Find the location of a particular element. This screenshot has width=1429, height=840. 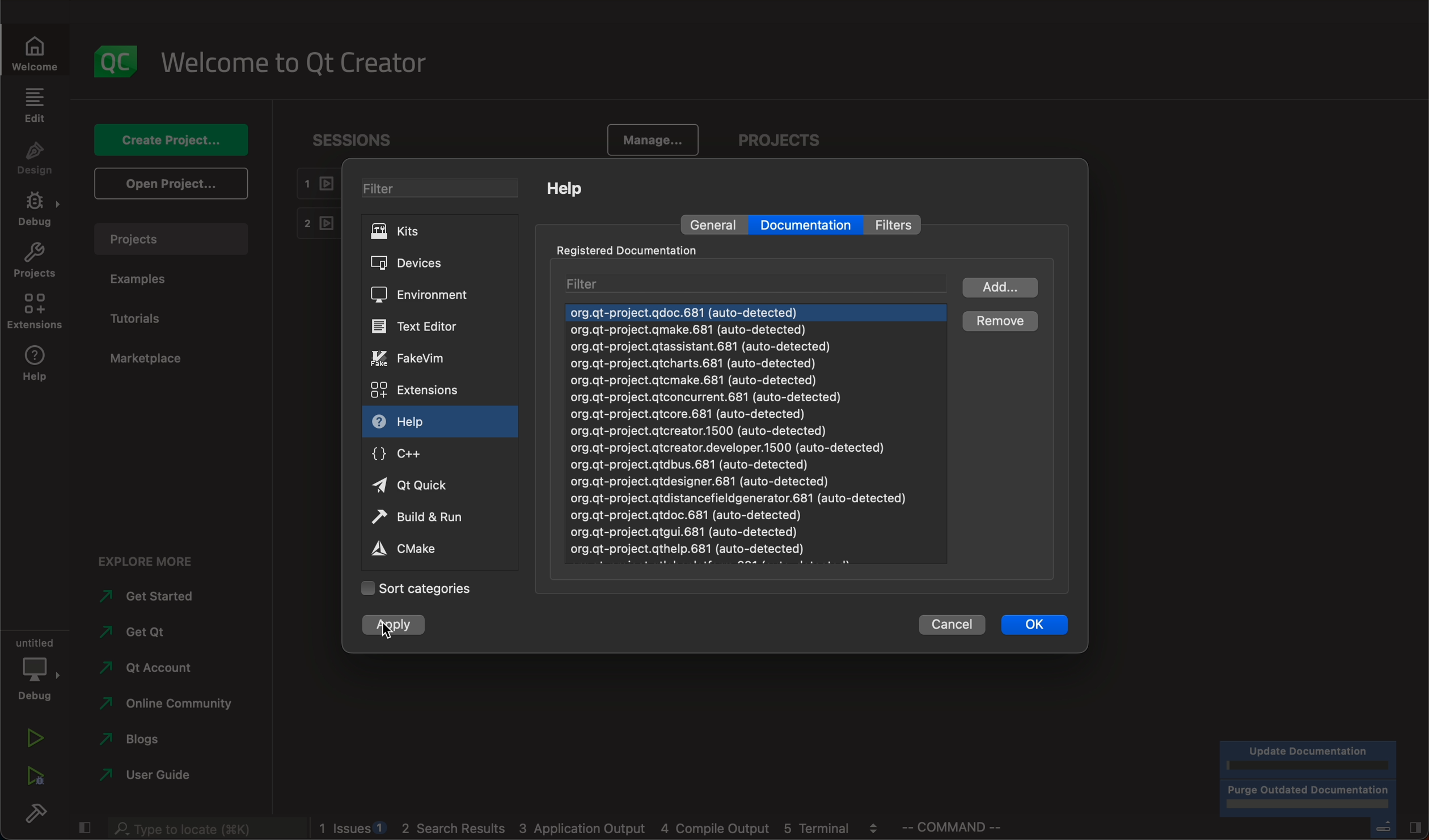

welcome is located at coordinates (33, 57).